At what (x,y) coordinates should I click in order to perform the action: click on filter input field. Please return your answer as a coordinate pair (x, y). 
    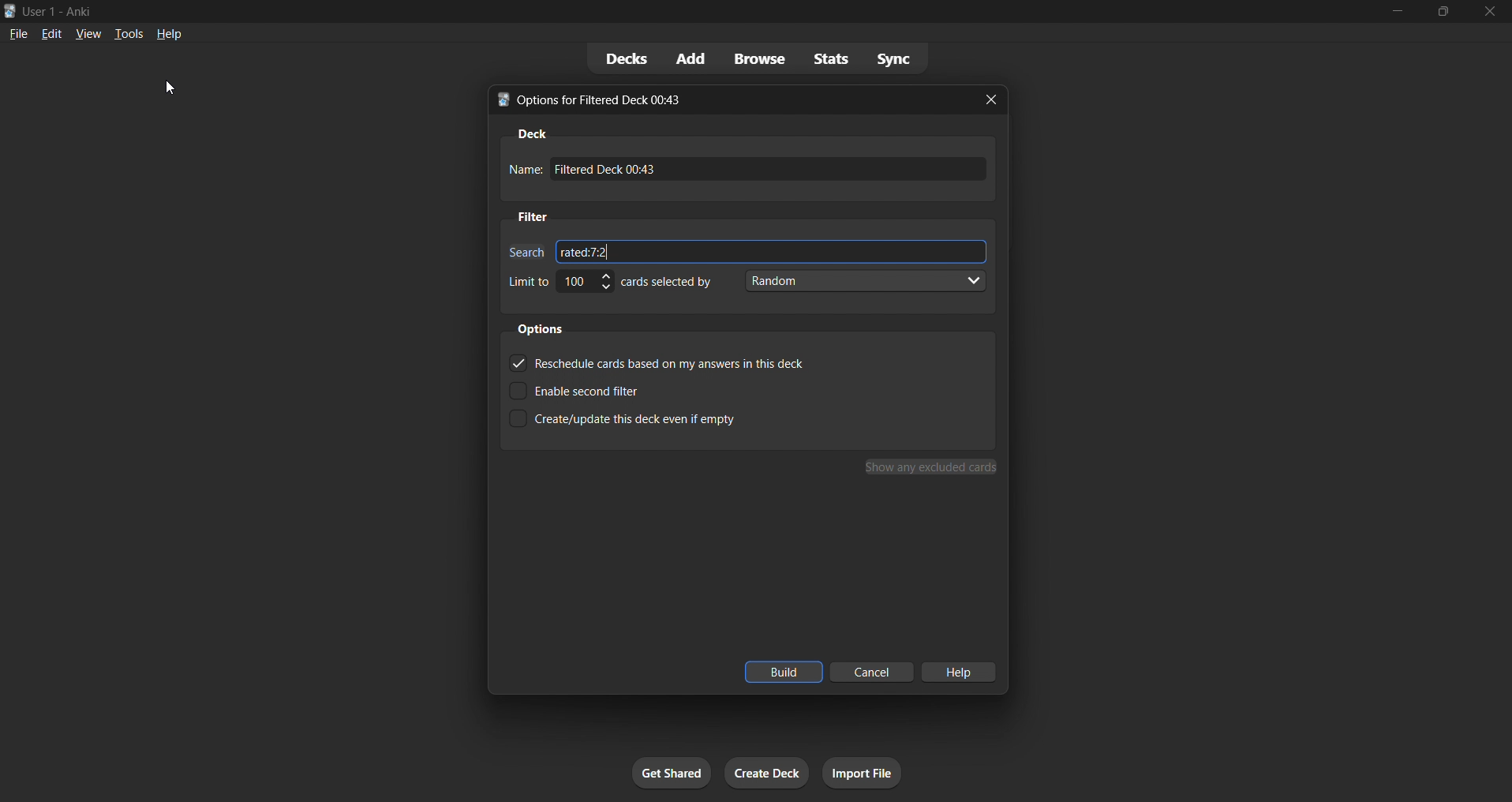
    Looking at the image, I should click on (522, 249).